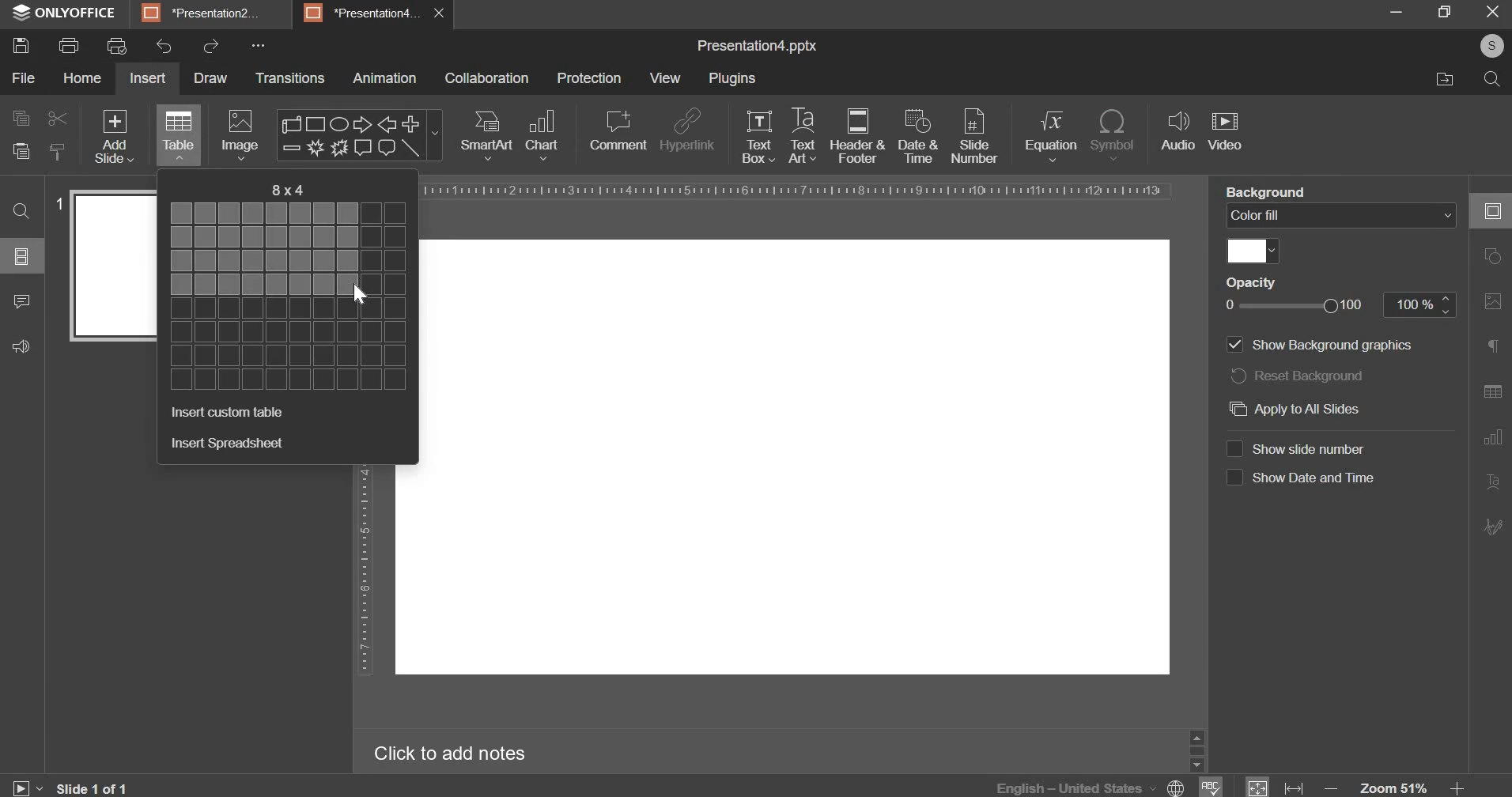 This screenshot has height=797, width=1512. What do you see at coordinates (364, 572) in the screenshot?
I see `ruler` at bounding box center [364, 572].